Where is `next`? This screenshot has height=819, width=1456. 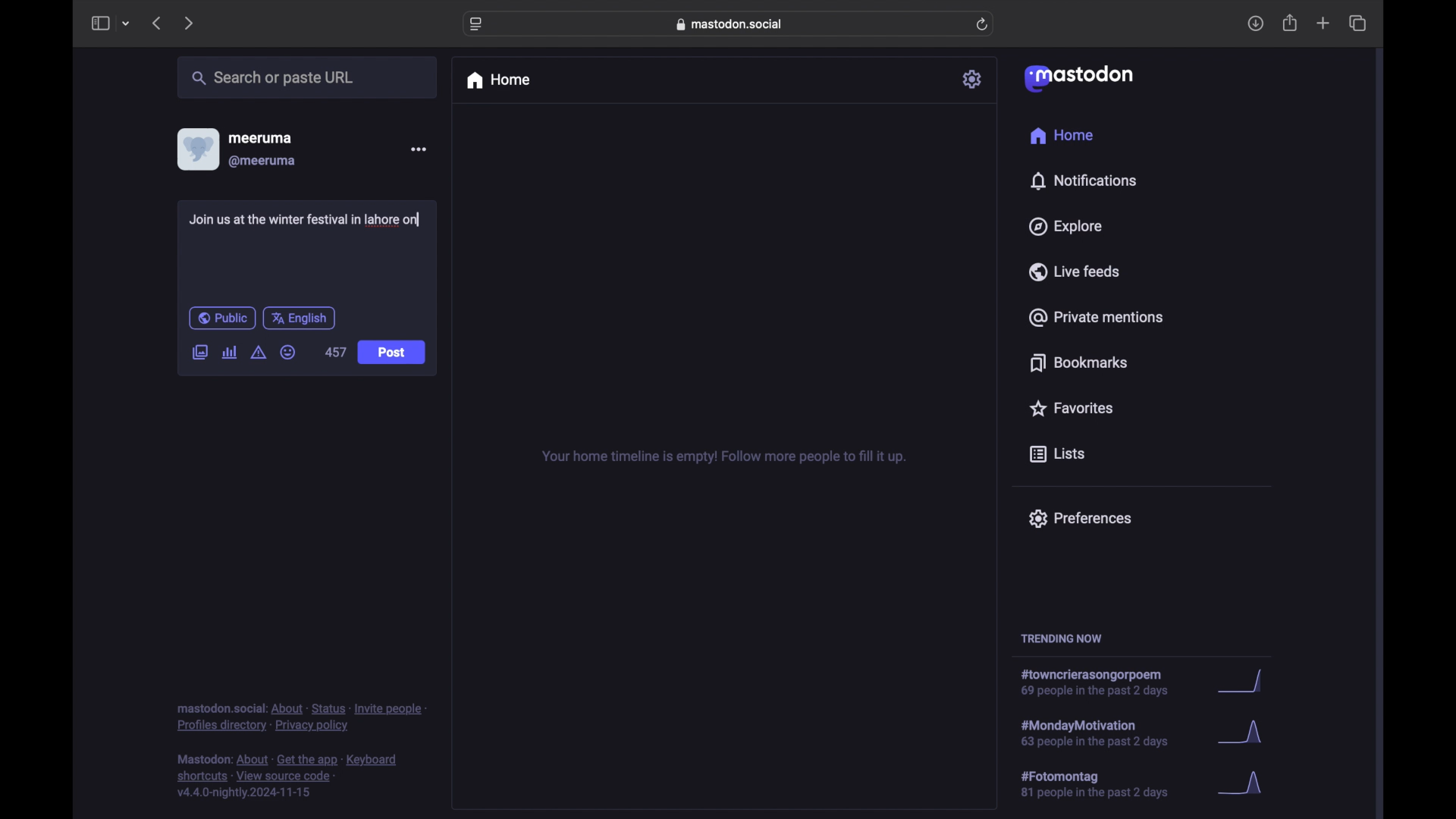
next is located at coordinates (190, 23).